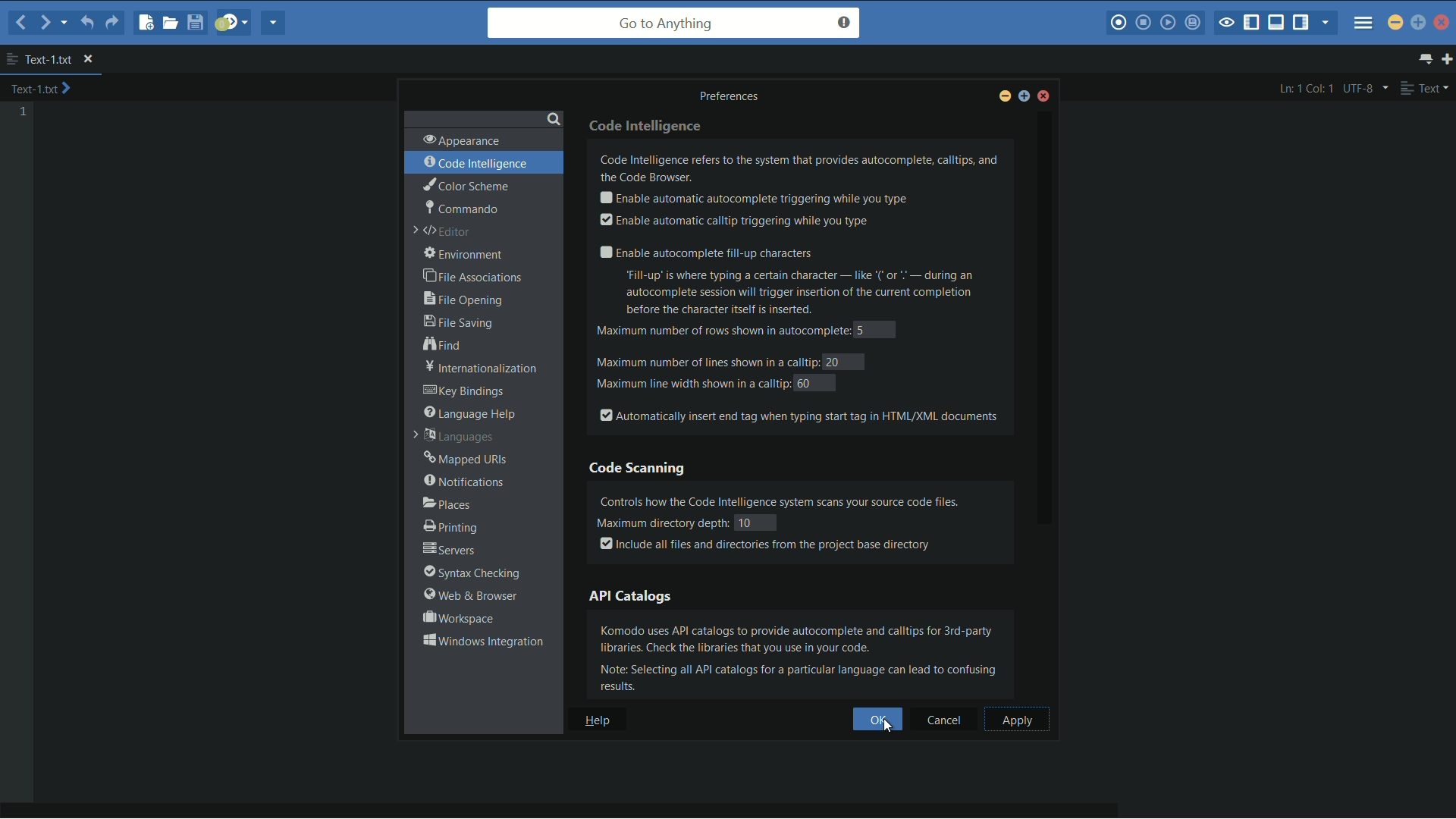  What do you see at coordinates (1118, 24) in the screenshot?
I see `record macro` at bounding box center [1118, 24].